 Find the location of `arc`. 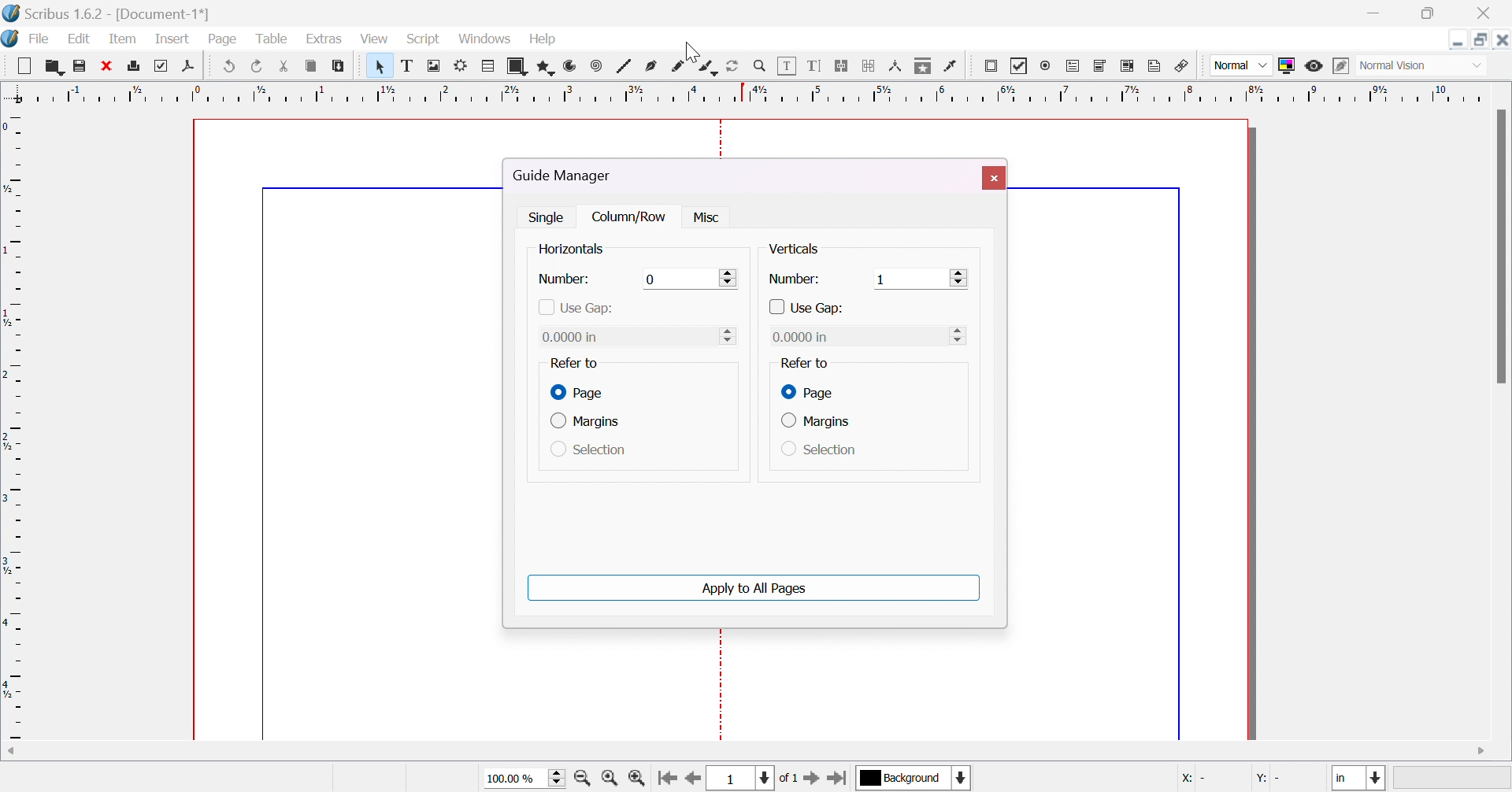

arc is located at coordinates (571, 68).